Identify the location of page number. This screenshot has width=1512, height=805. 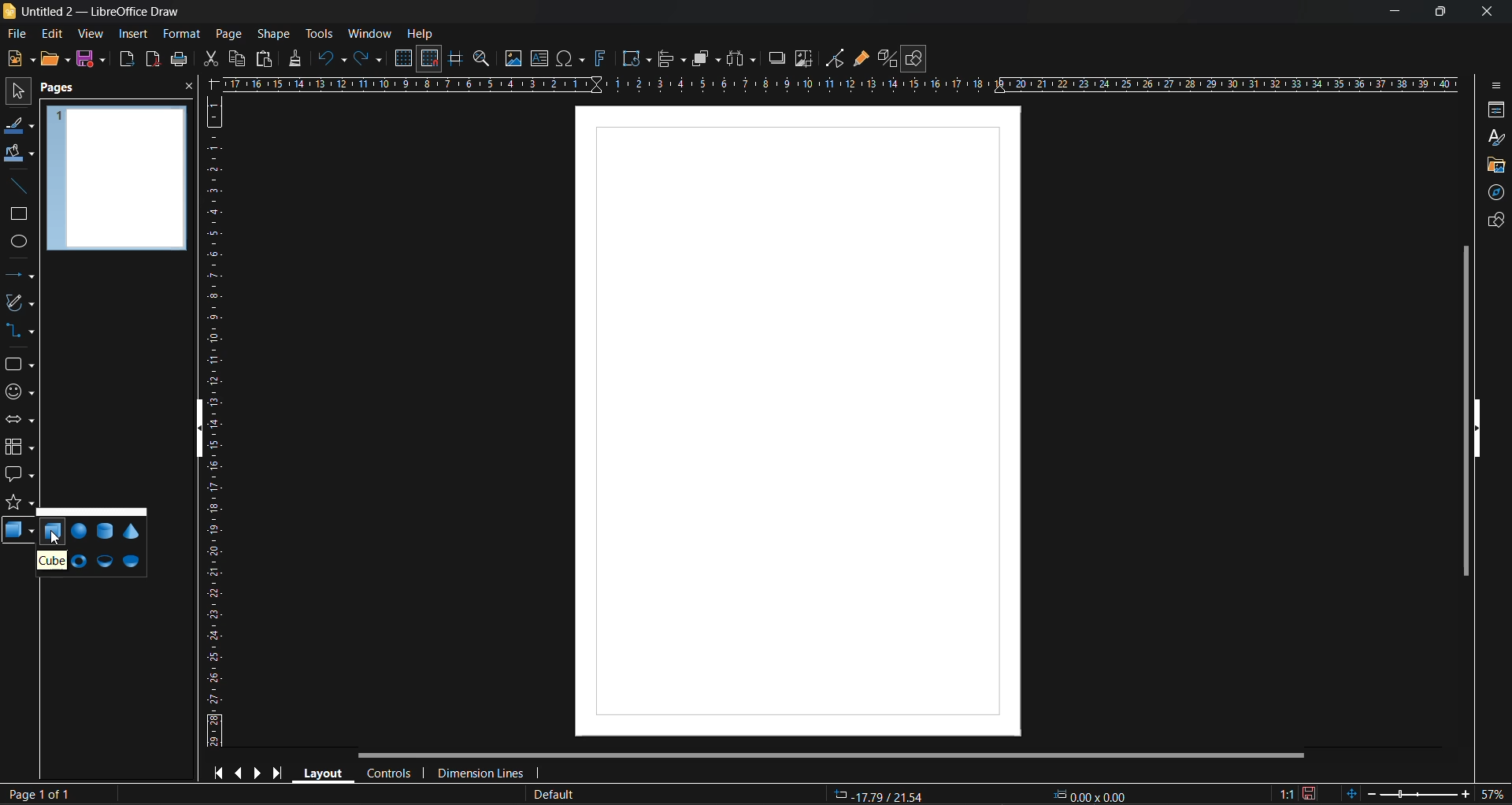
(39, 796).